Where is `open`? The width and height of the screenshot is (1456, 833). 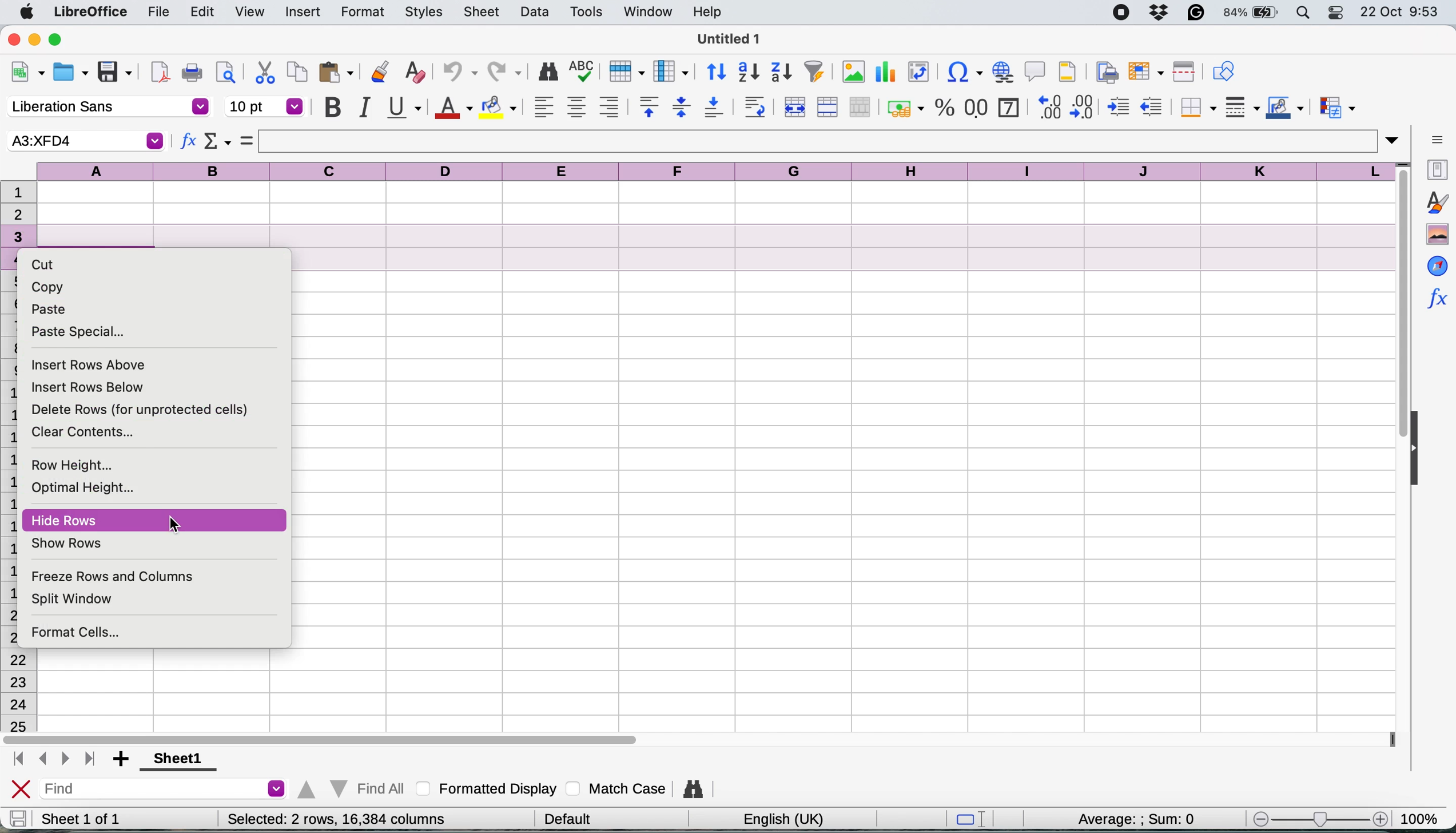
open is located at coordinates (70, 74).